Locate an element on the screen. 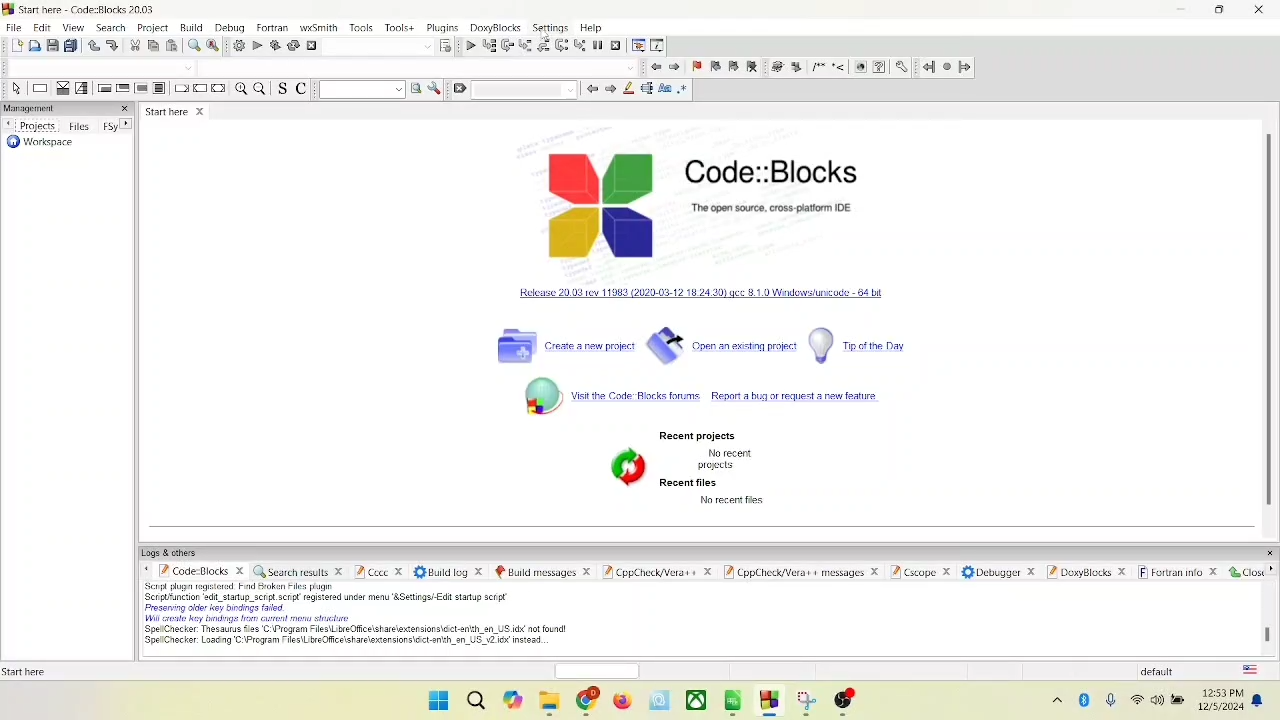  cppcheck/vera++ is located at coordinates (654, 570).